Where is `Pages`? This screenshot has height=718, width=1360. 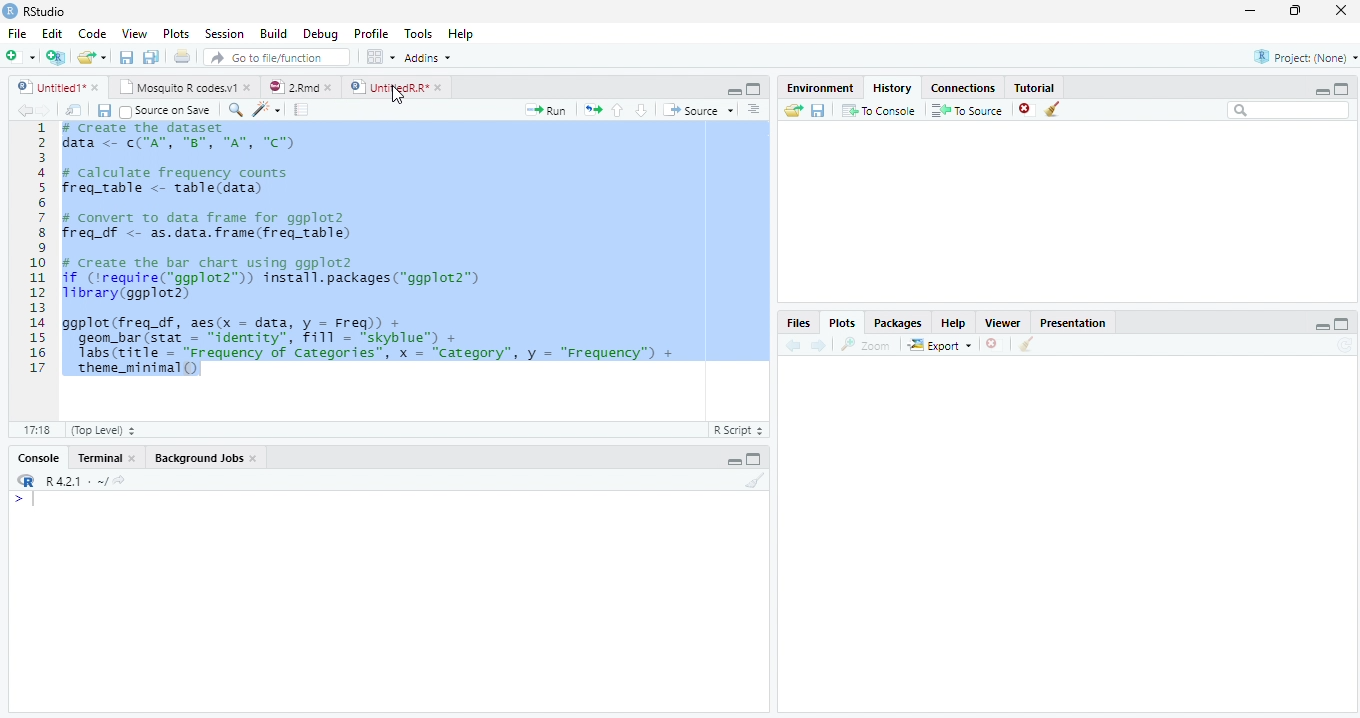
Pages is located at coordinates (593, 110).